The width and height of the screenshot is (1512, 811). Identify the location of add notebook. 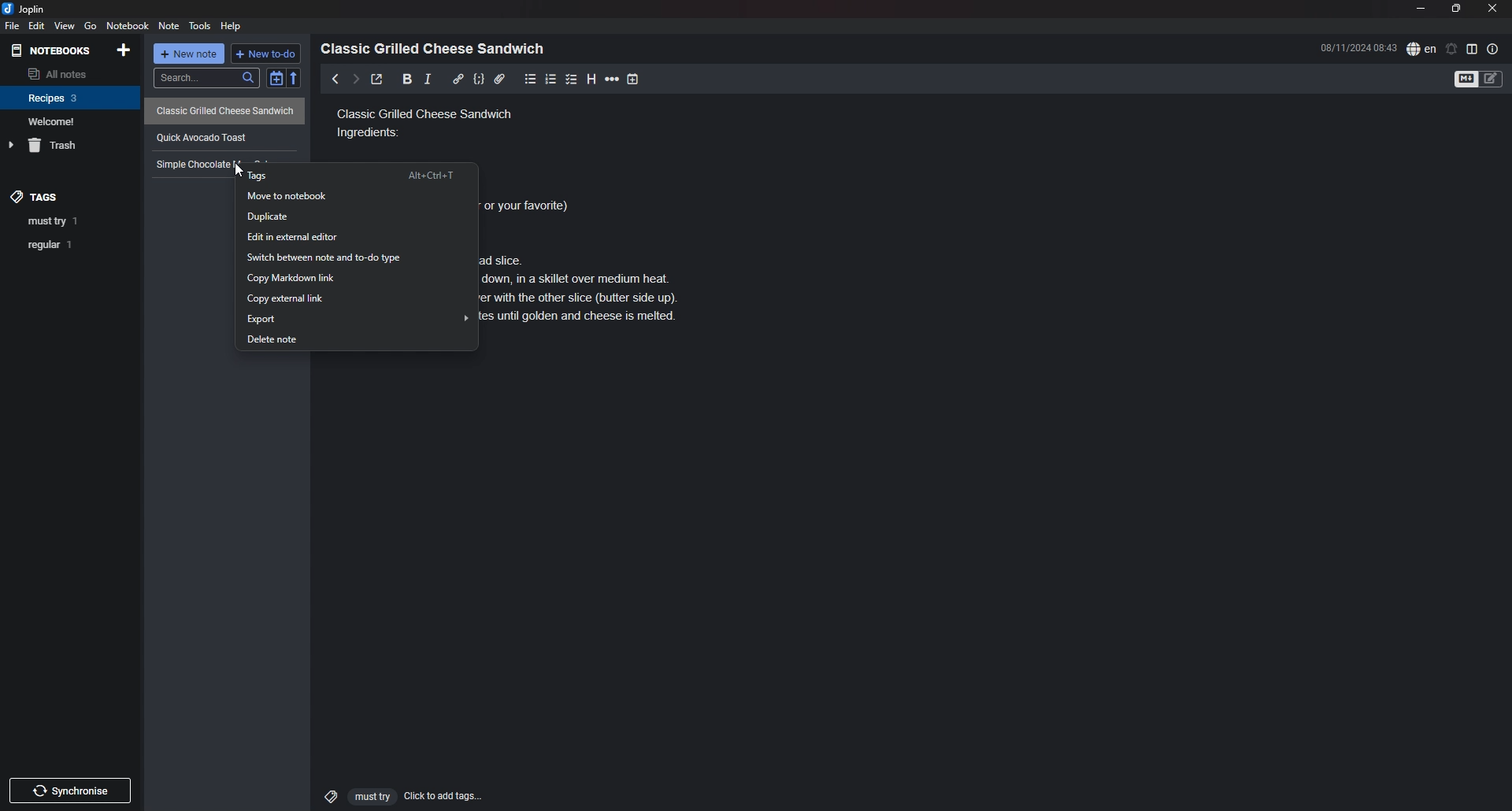
(125, 49).